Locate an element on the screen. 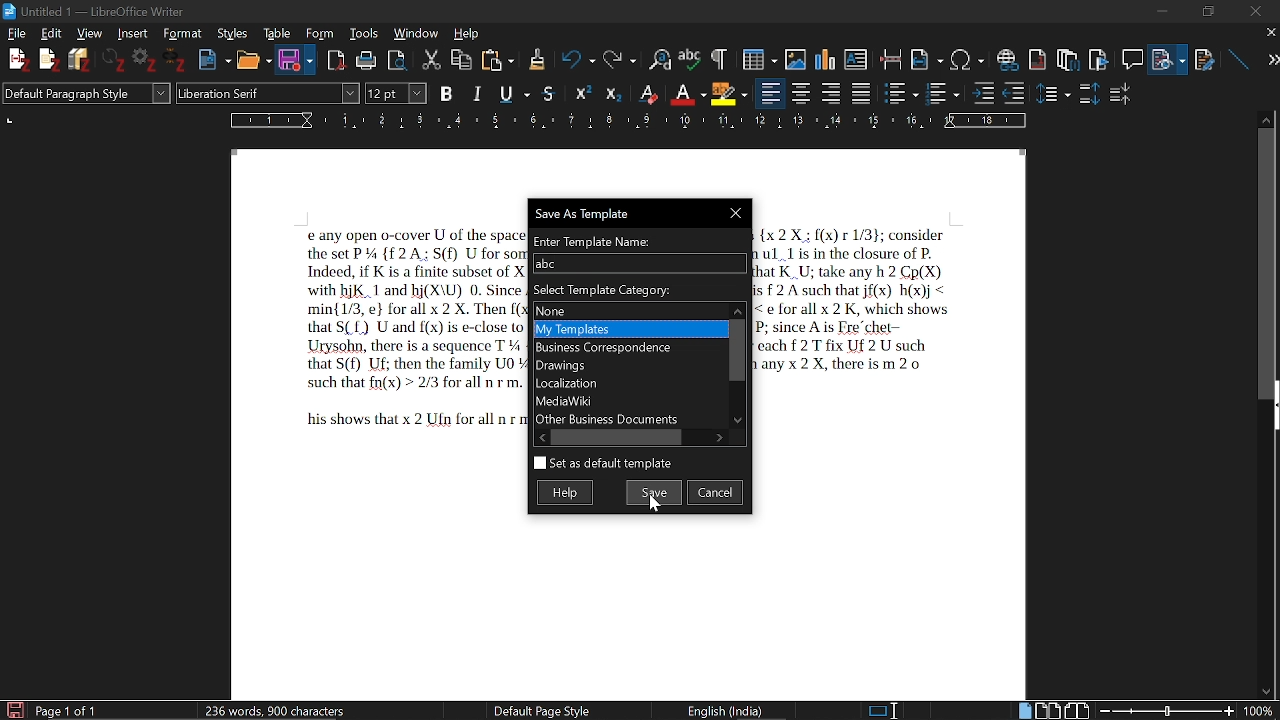  close is located at coordinates (1269, 34).